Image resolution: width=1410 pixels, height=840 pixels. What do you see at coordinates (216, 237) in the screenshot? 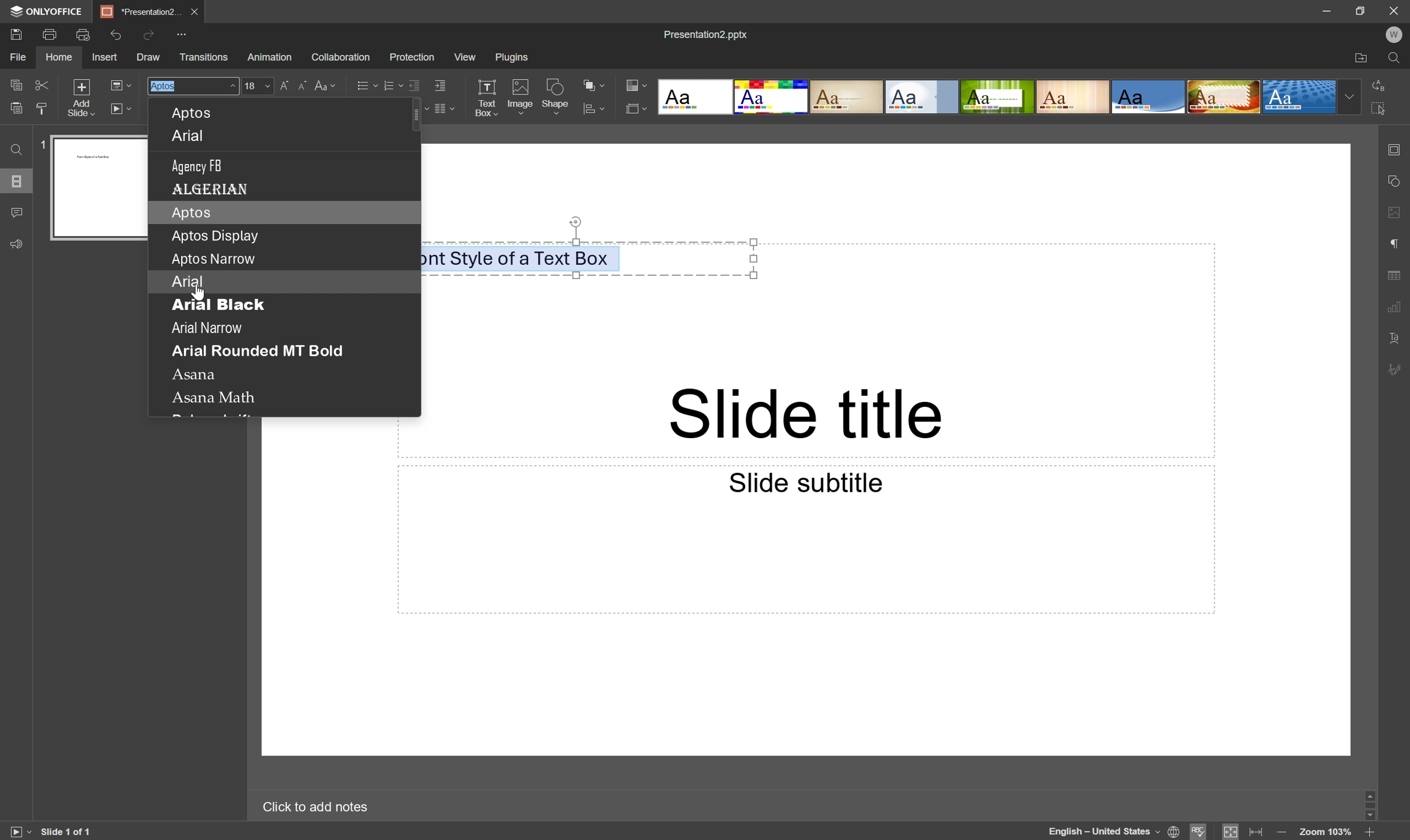
I see `Aptos Display` at bounding box center [216, 237].